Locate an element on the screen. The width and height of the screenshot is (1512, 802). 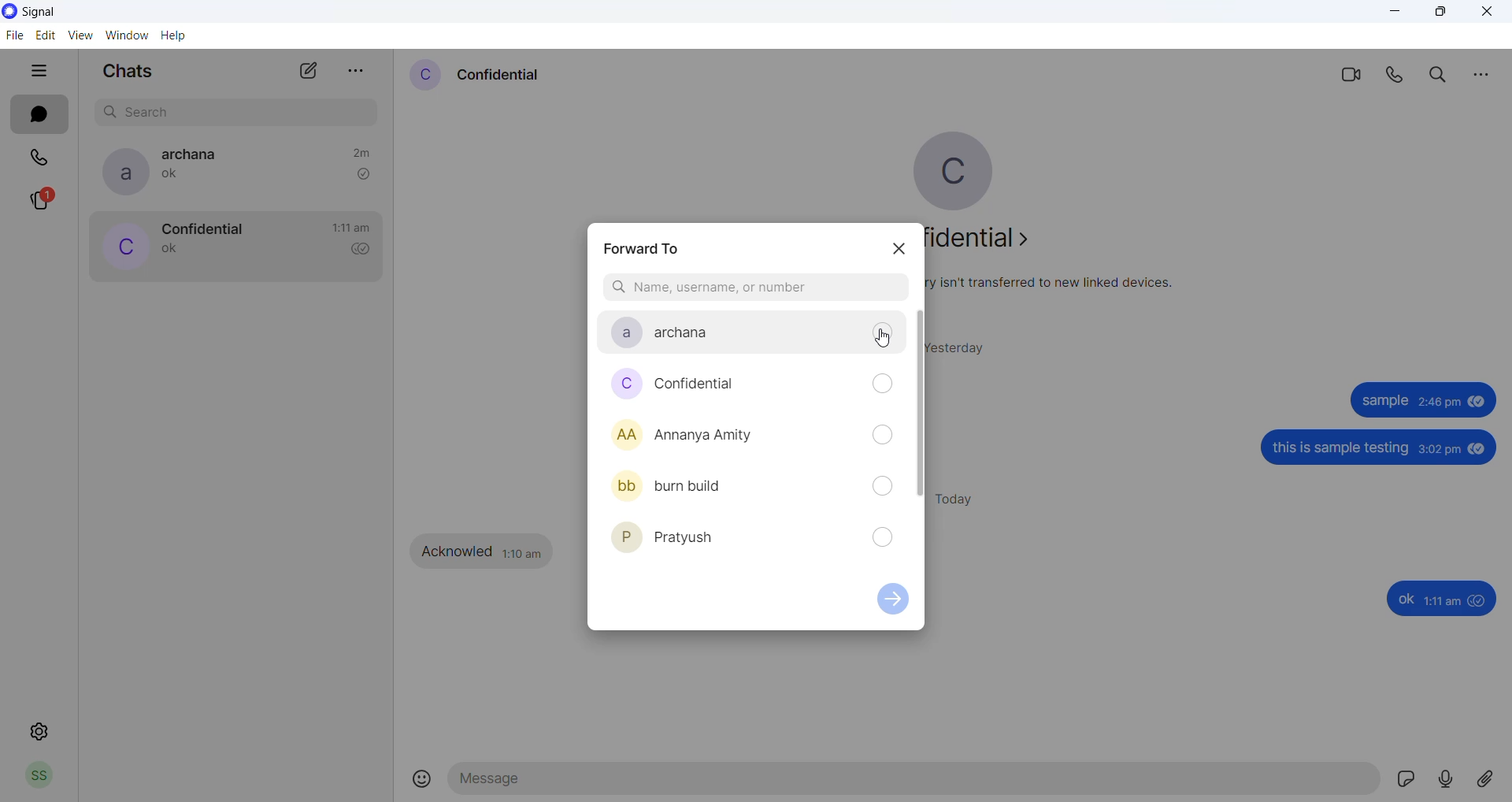
3:02 pm is located at coordinates (1440, 451).